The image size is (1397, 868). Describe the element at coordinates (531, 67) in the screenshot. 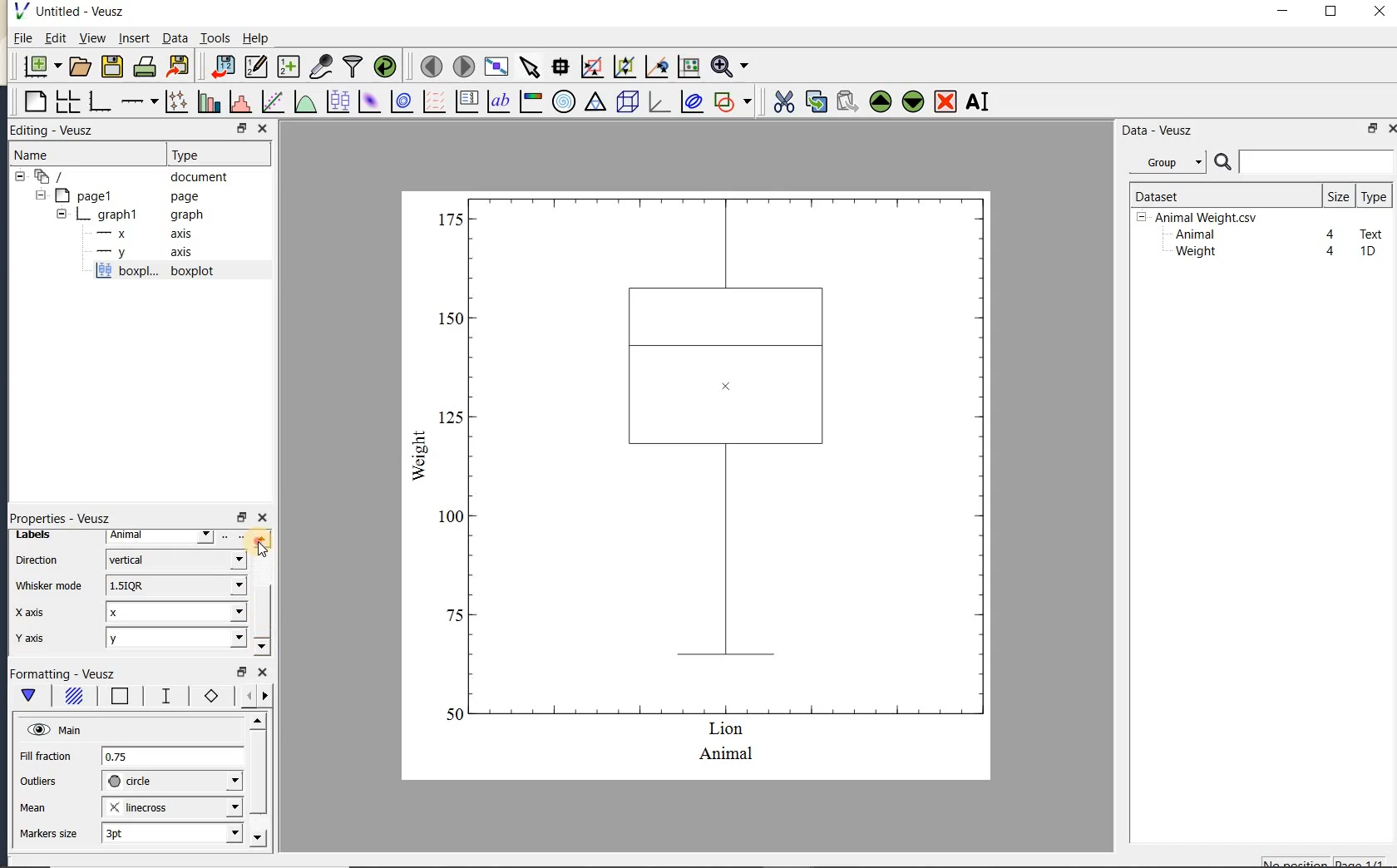

I see `select items from the graph or scroll` at that location.